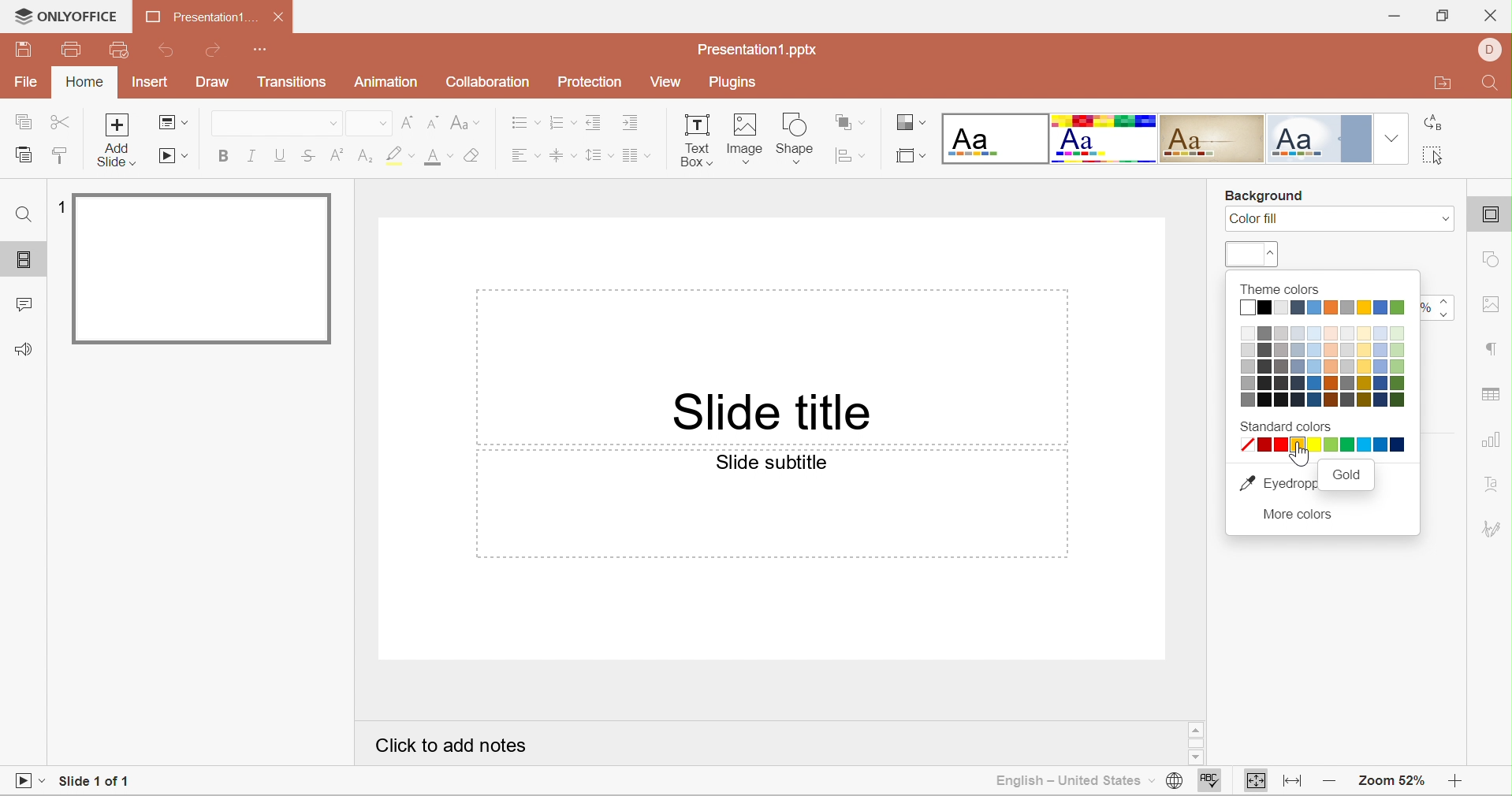 The height and width of the screenshot is (796, 1512). I want to click on Zoom out, so click(1331, 783).